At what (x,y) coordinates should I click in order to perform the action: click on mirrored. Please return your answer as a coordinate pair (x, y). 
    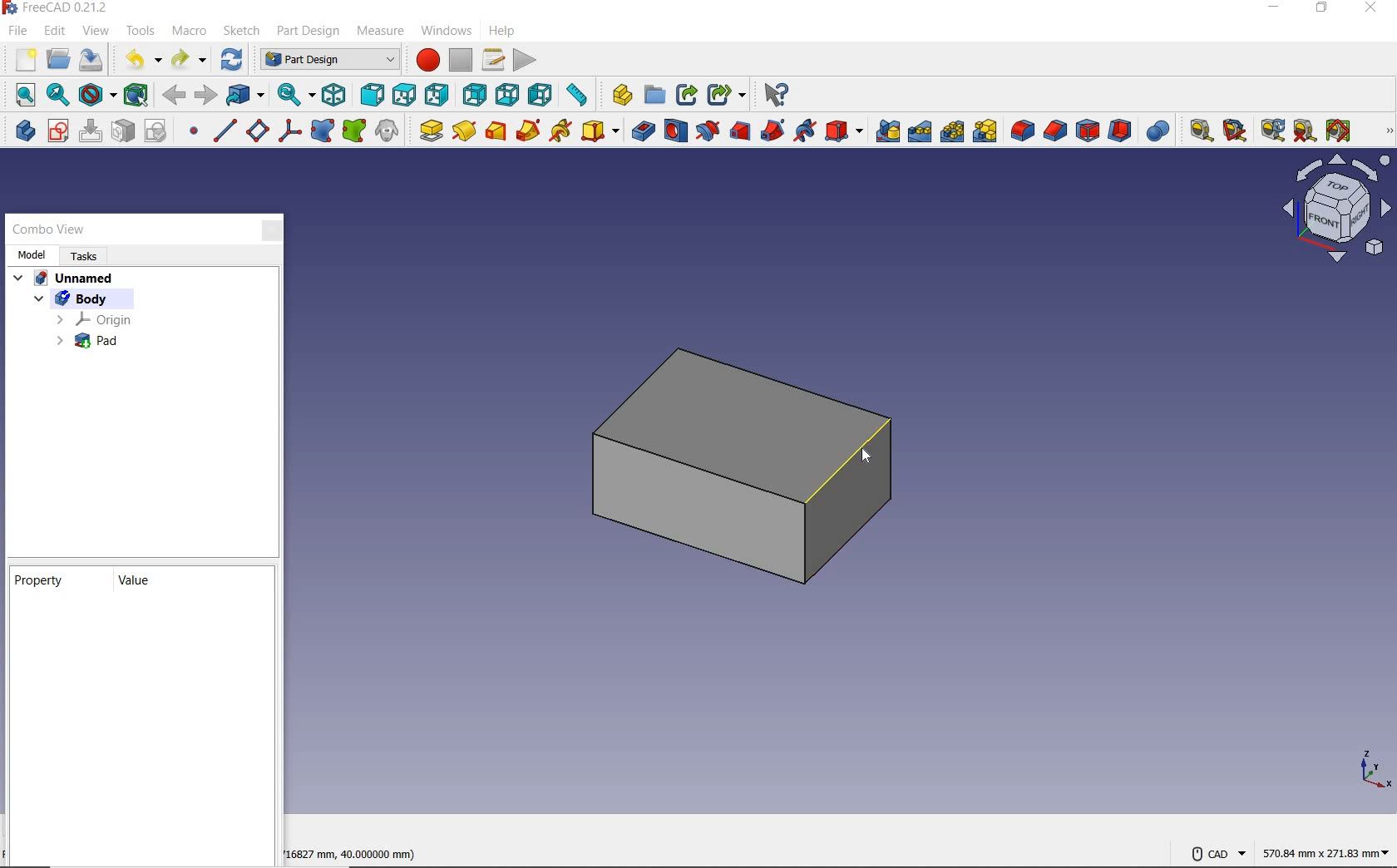
    Looking at the image, I should click on (888, 131).